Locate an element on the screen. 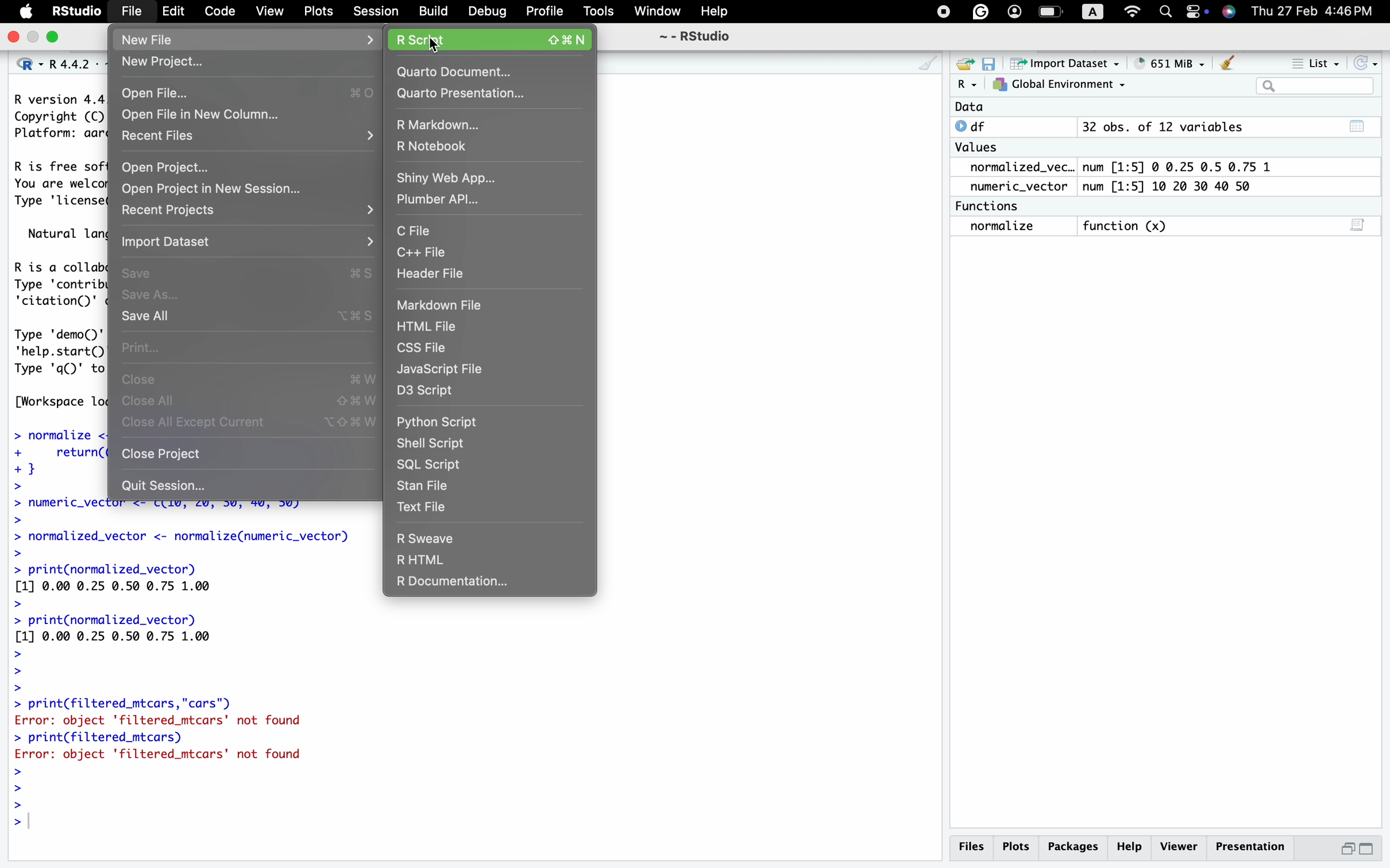 This screenshot has height=868, width=1390. Quarto Document... is located at coordinates (466, 69).